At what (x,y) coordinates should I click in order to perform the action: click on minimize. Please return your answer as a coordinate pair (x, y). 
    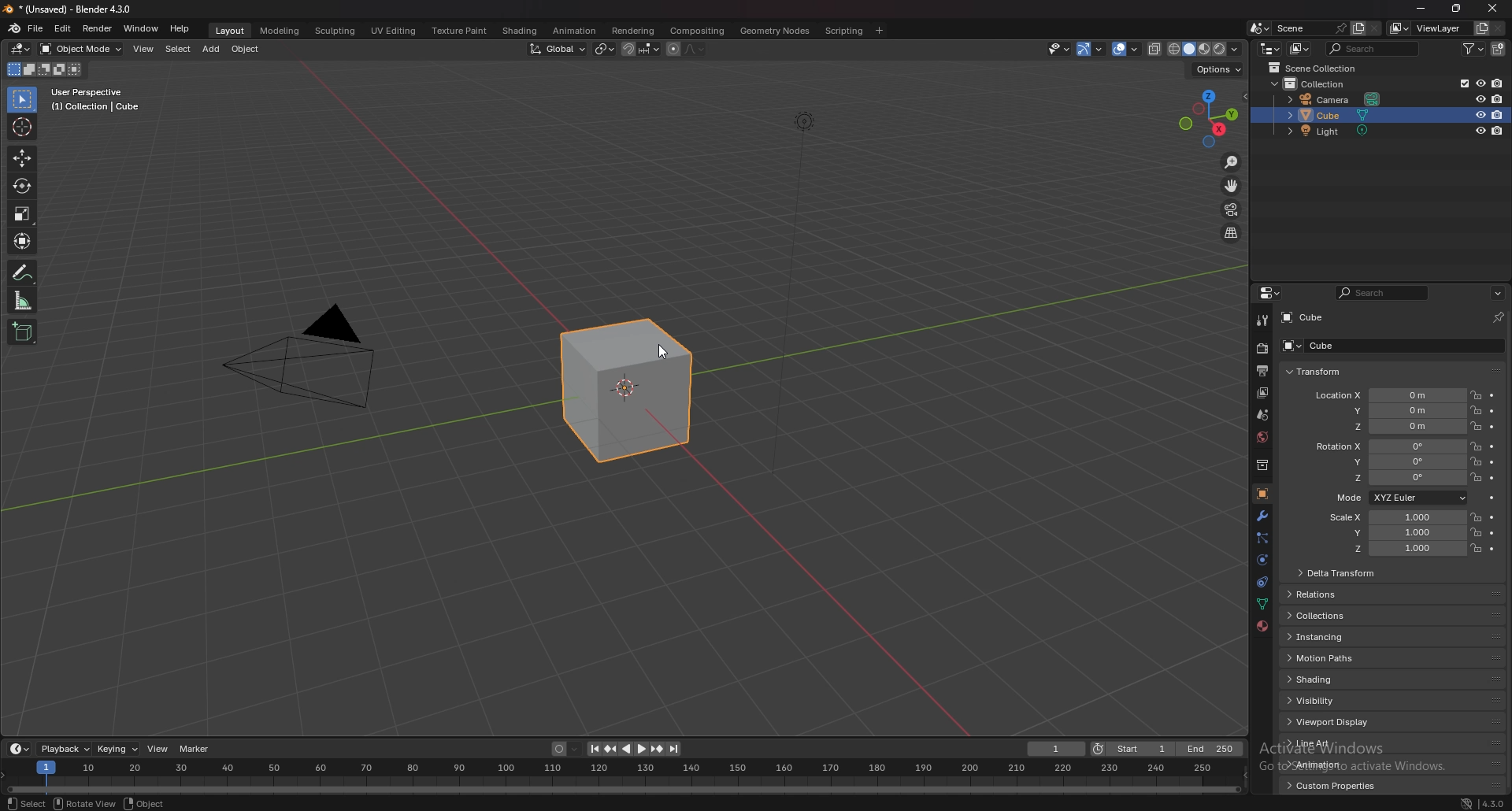
    Looking at the image, I should click on (1421, 9).